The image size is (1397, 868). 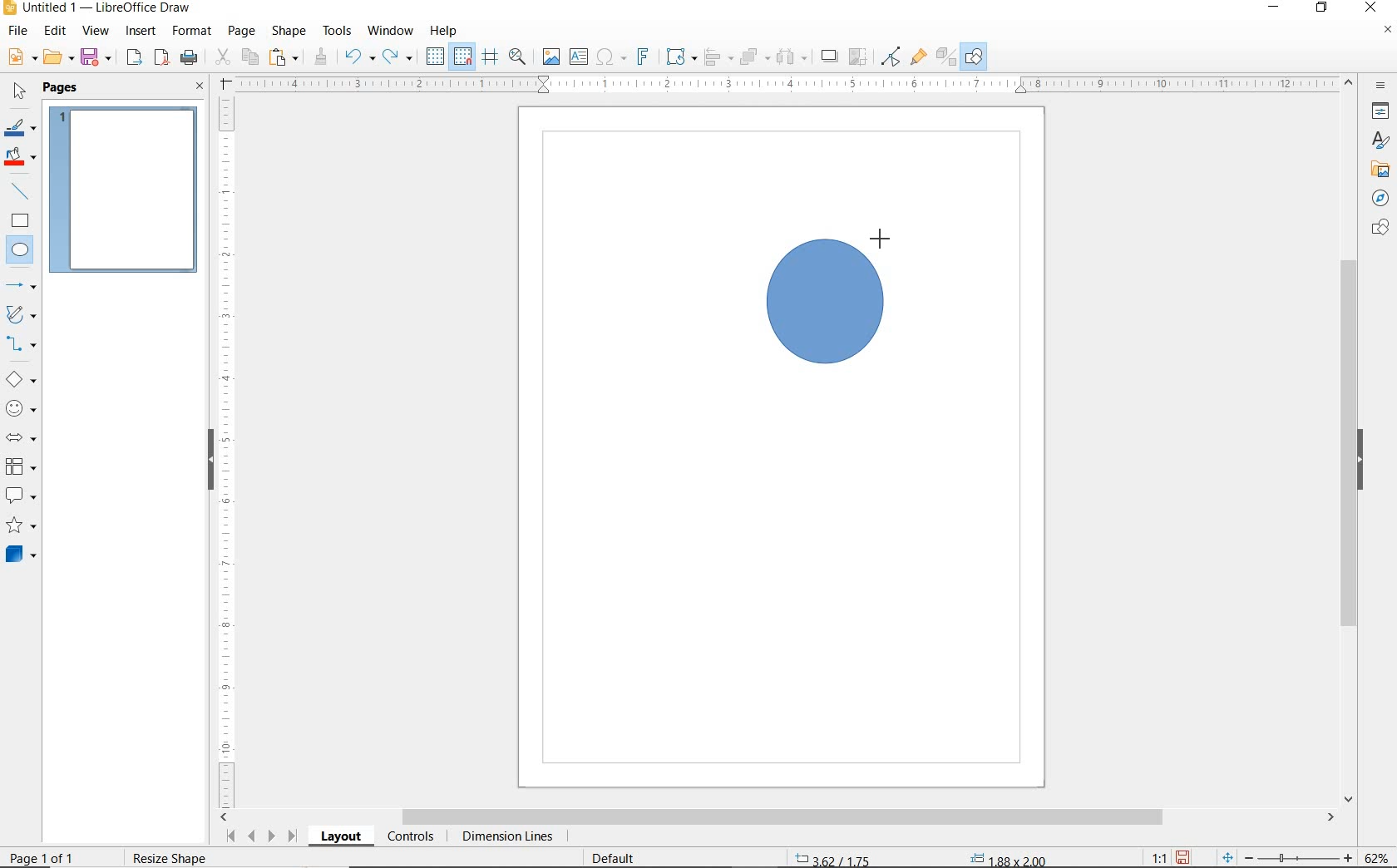 What do you see at coordinates (21, 251) in the screenshot?
I see `ELLIPSE` at bounding box center [21, 251].